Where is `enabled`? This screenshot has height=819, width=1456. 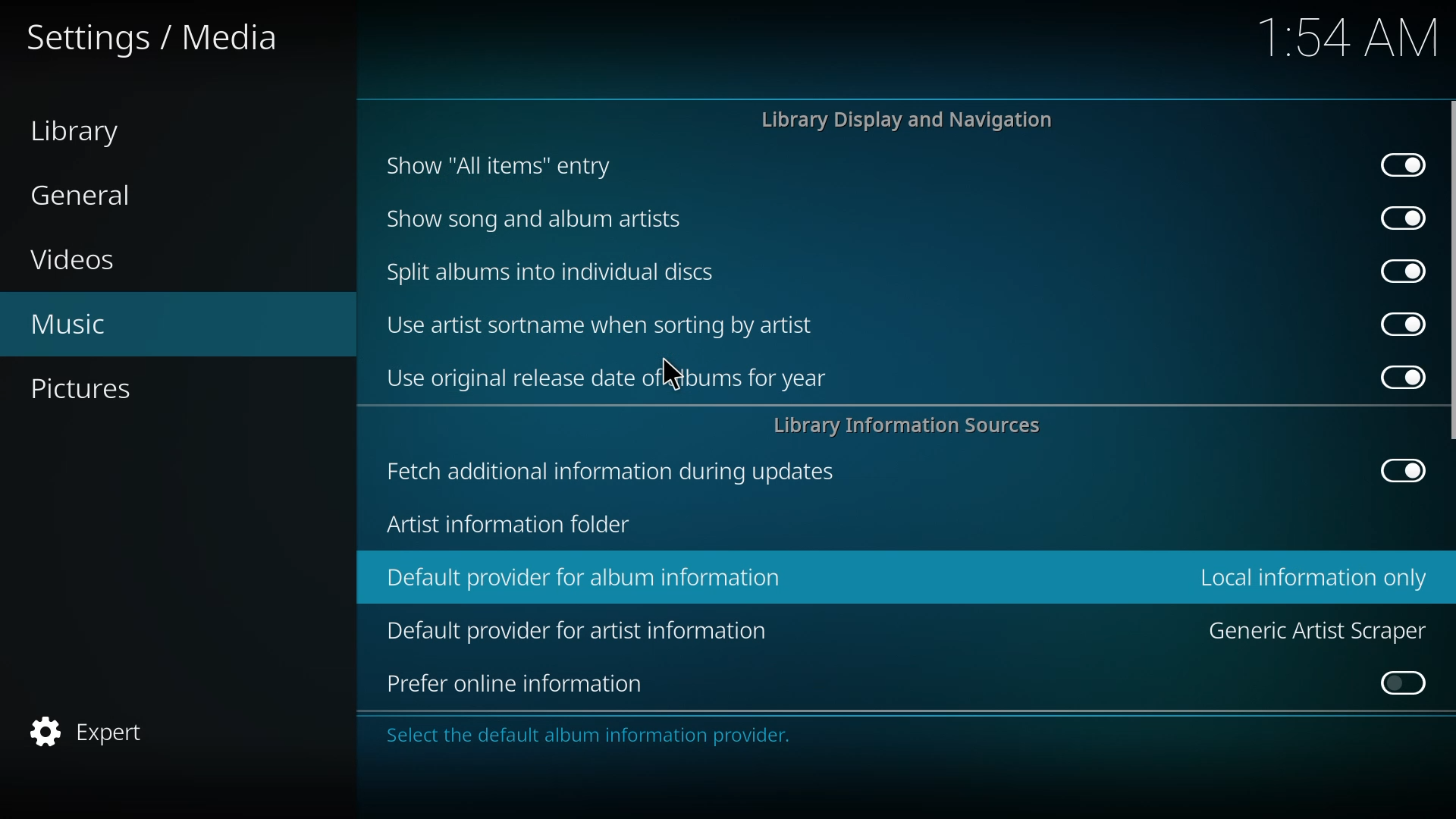
enabled is located at coordinates (1398, 270).